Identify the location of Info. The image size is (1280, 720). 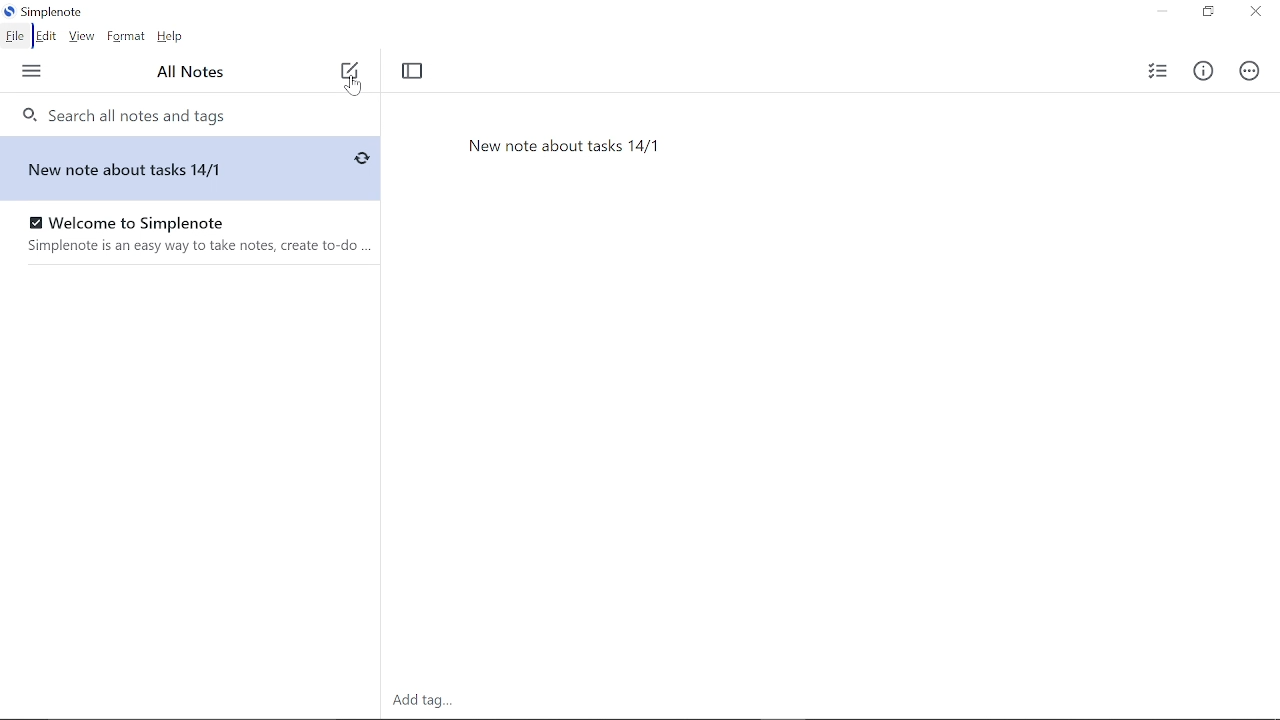
(1203, 73).